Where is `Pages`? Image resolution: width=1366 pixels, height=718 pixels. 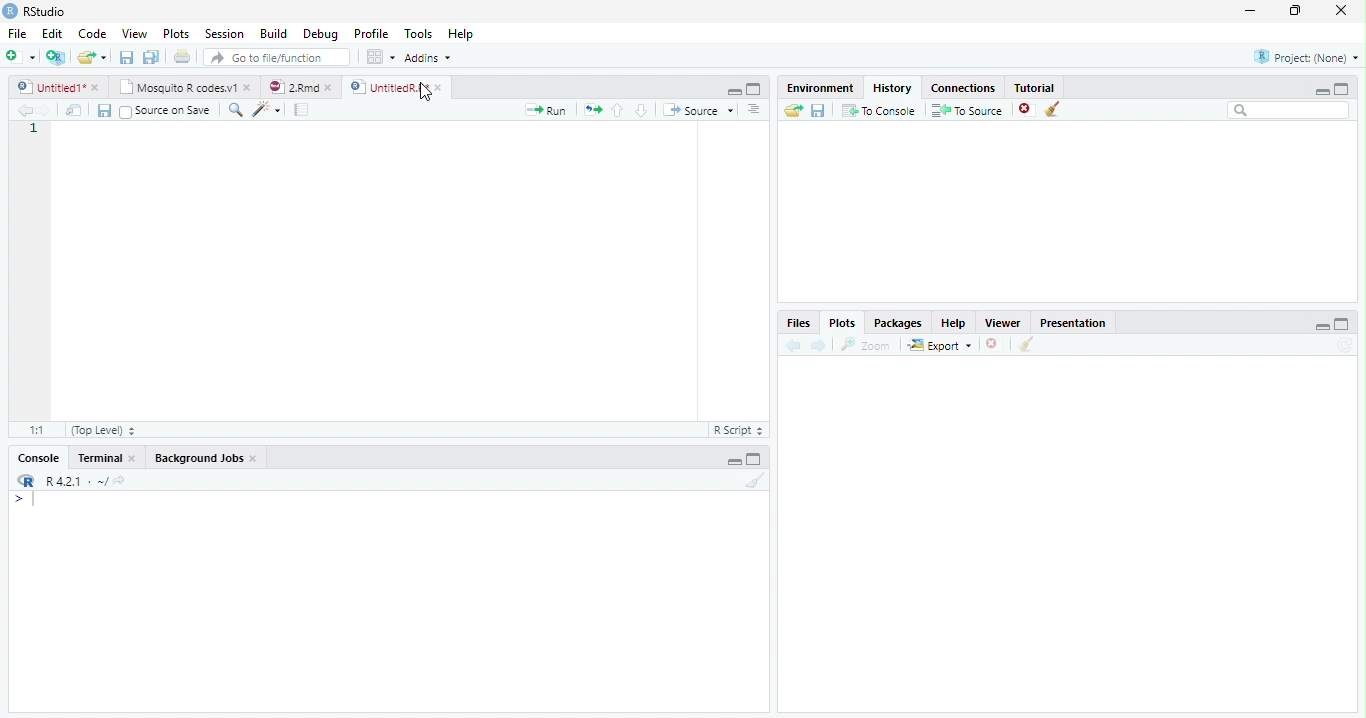 Pages is located at coordinates (301, 111).